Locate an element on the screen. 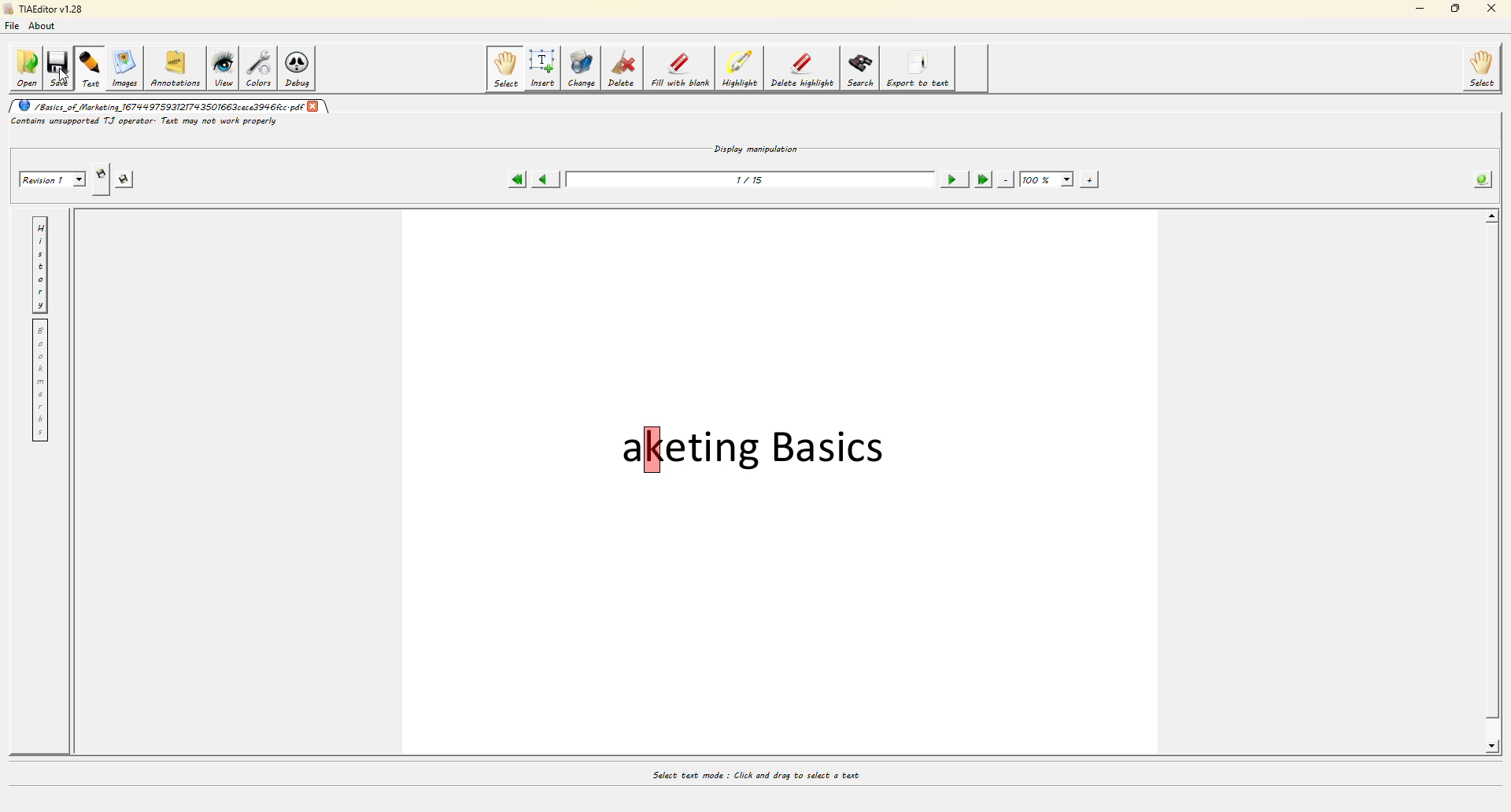 Image resolution: width=1511 pixels, height=812 pixels. fill with blank is located at coordinates (680, 68).